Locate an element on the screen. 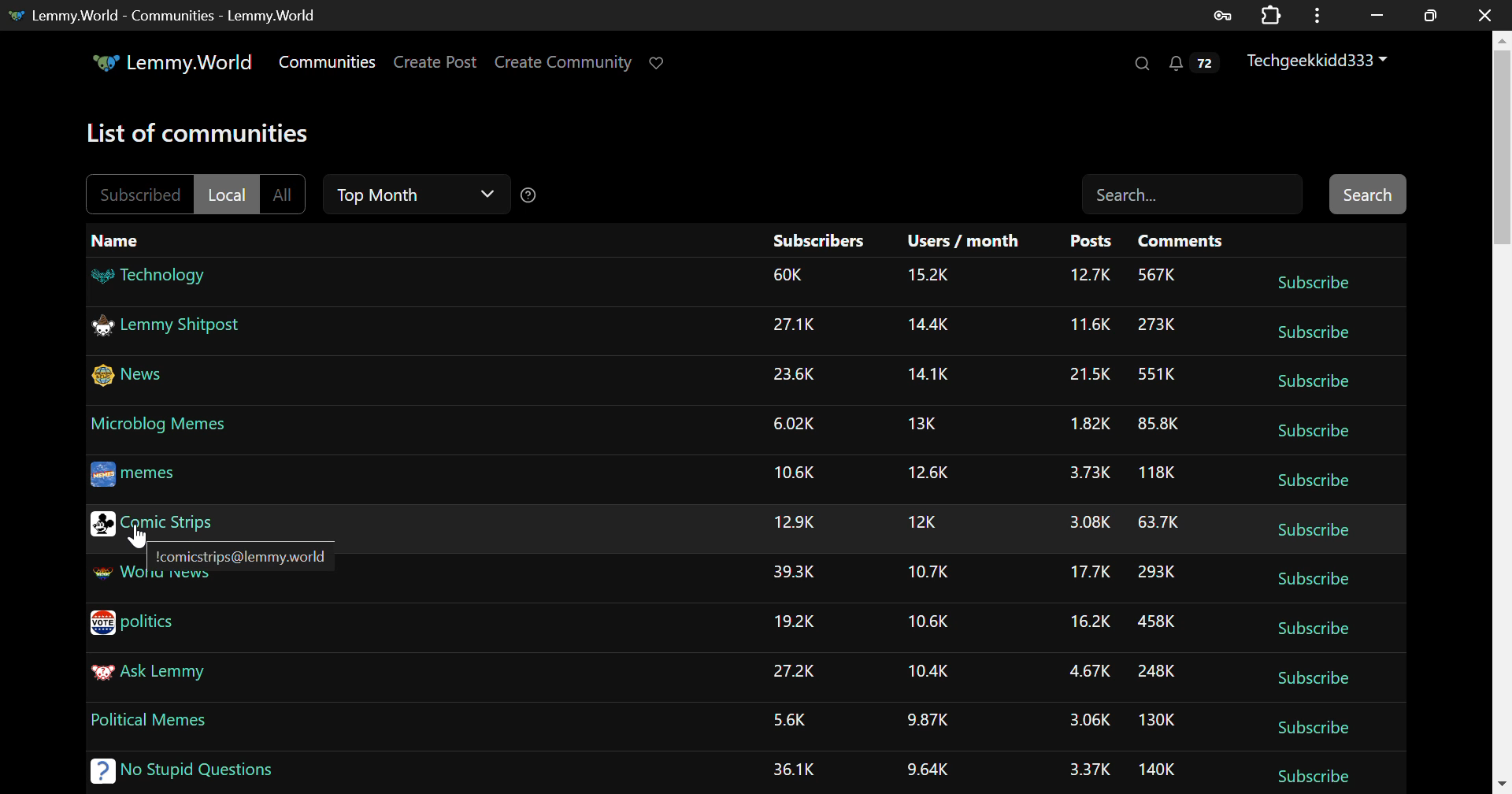  Amount is located at coordinates (1156, 572).